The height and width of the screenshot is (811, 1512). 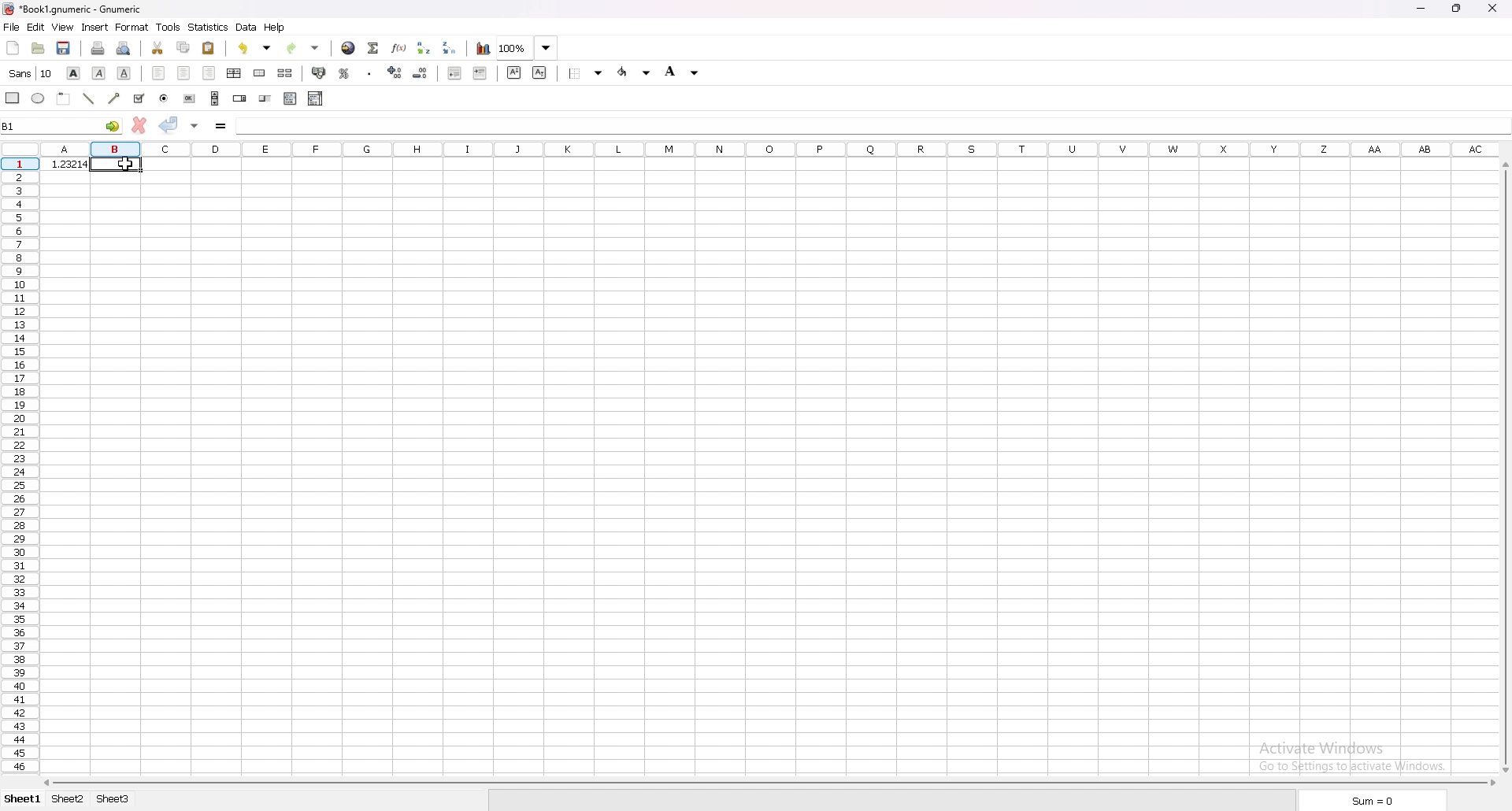 What do you see at coordinates (32, 73) in the screenshot?
I see `font` at bounding box center [32, 73].